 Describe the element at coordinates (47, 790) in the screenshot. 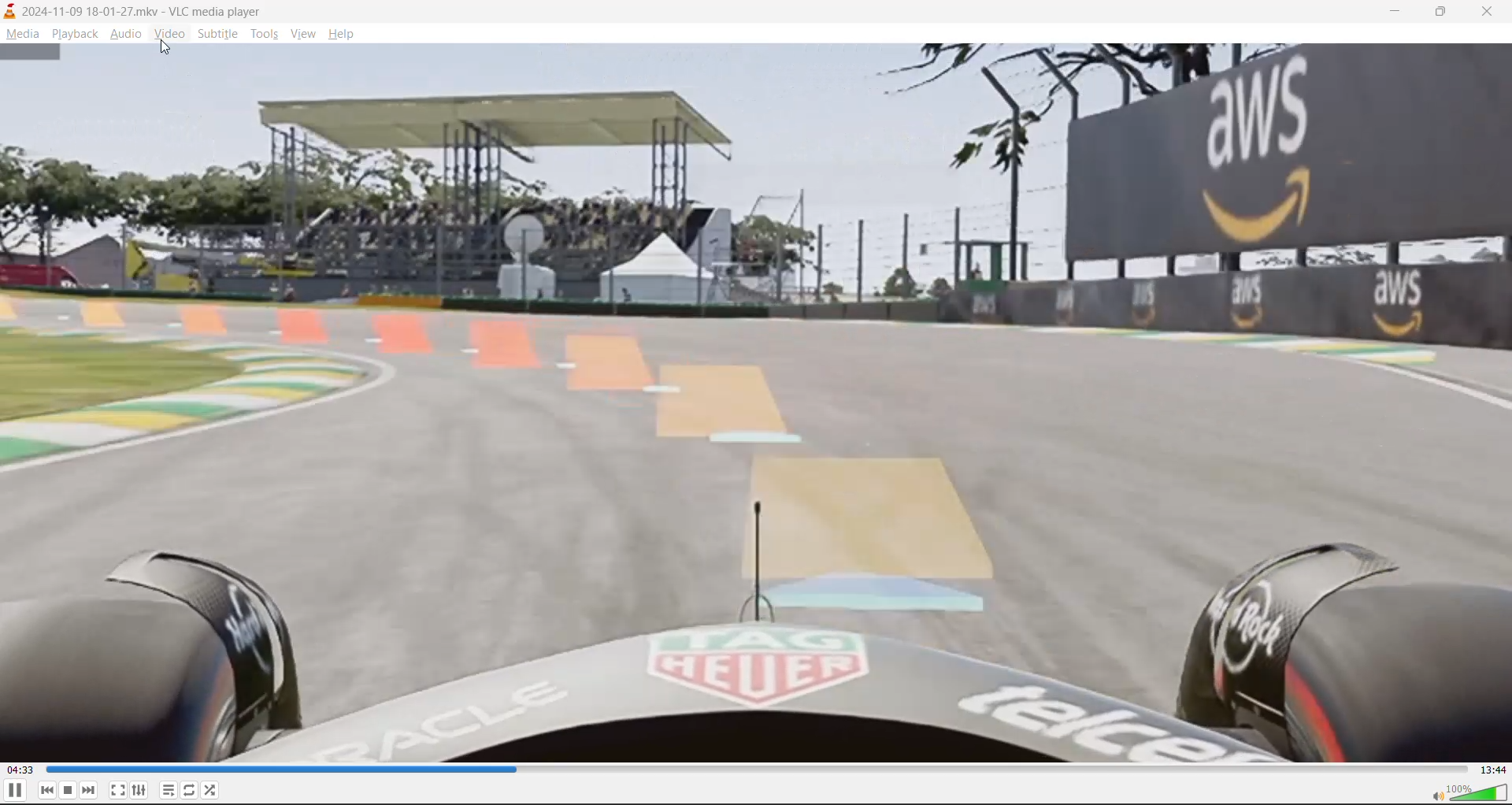

I see `previous` at that location.